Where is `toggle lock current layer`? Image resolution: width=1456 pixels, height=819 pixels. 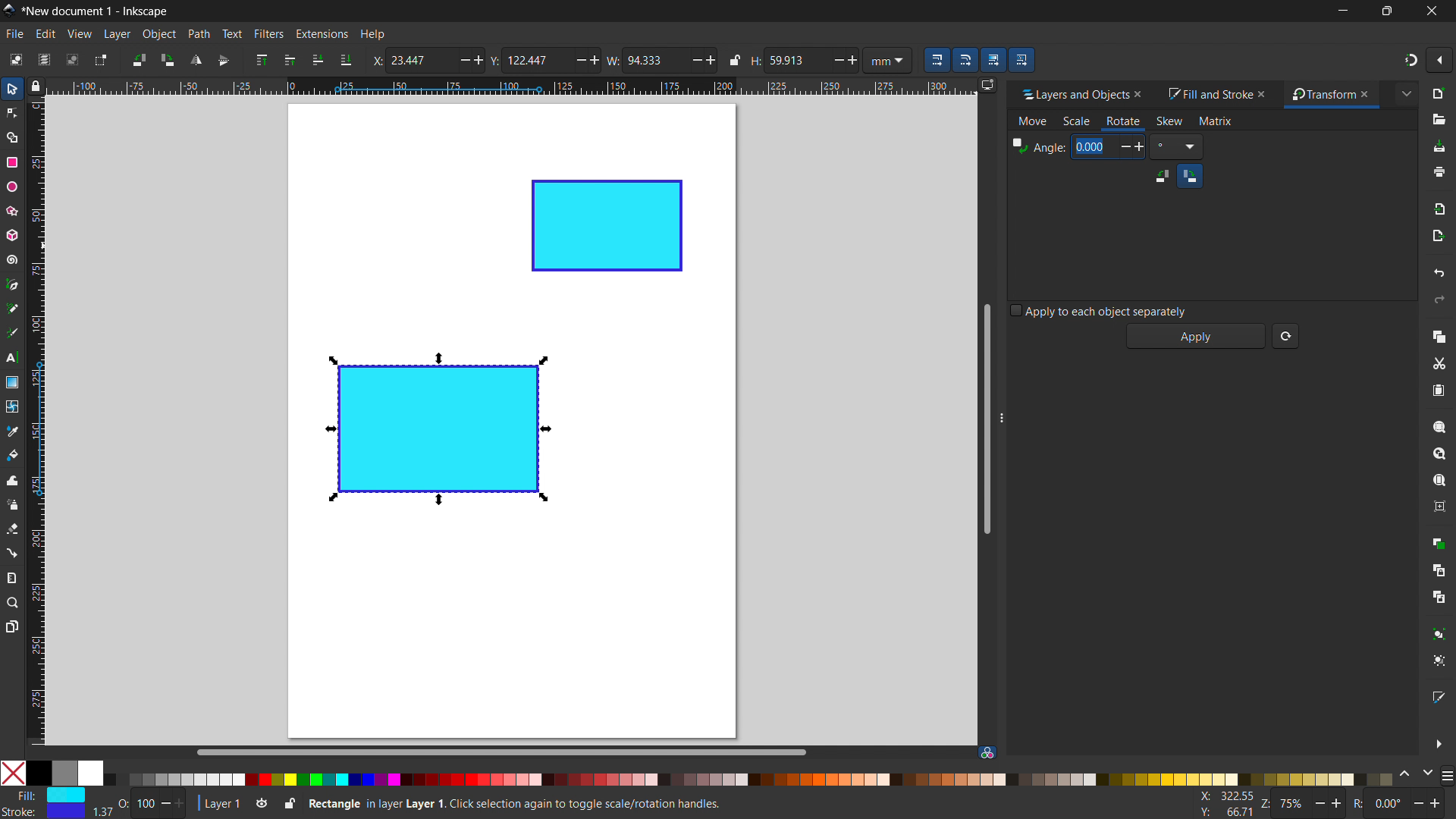
toggle lock current layer is located at coordinates (289, 802).